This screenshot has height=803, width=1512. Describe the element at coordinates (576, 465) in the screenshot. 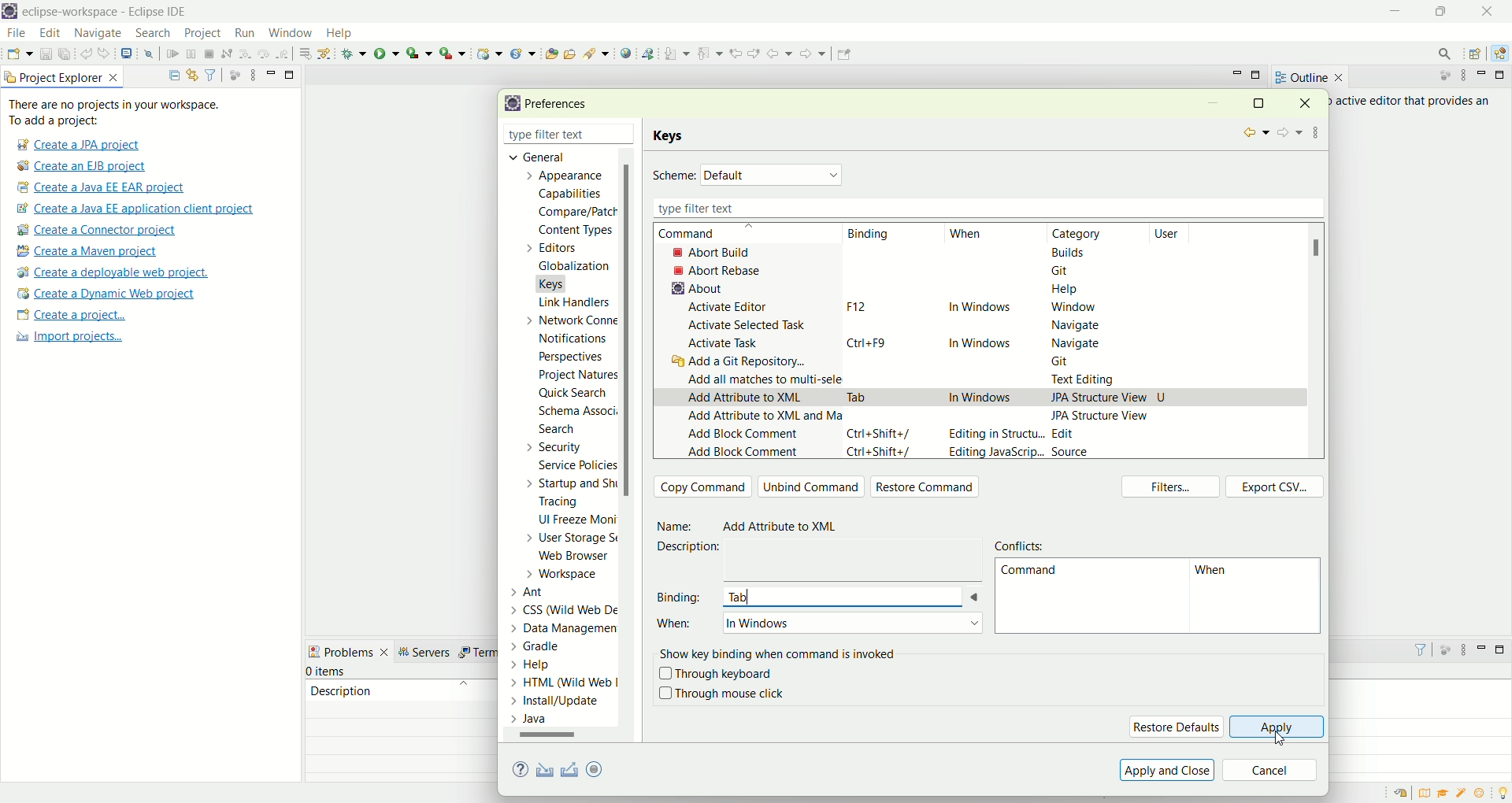

I see `service policies` at that location.